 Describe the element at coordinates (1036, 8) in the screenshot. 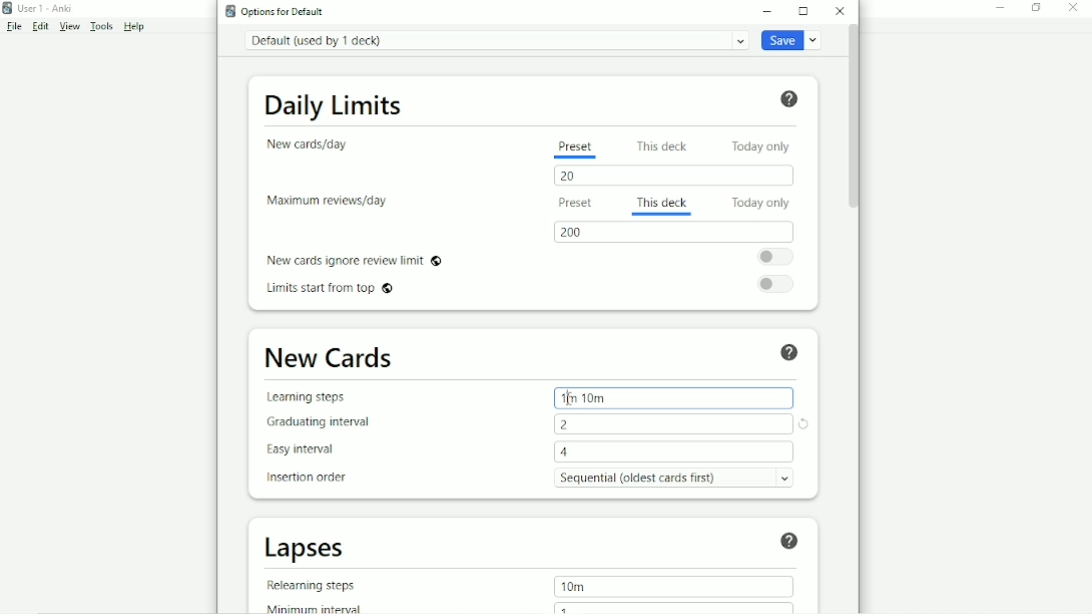

I see `Restore down` at that location.